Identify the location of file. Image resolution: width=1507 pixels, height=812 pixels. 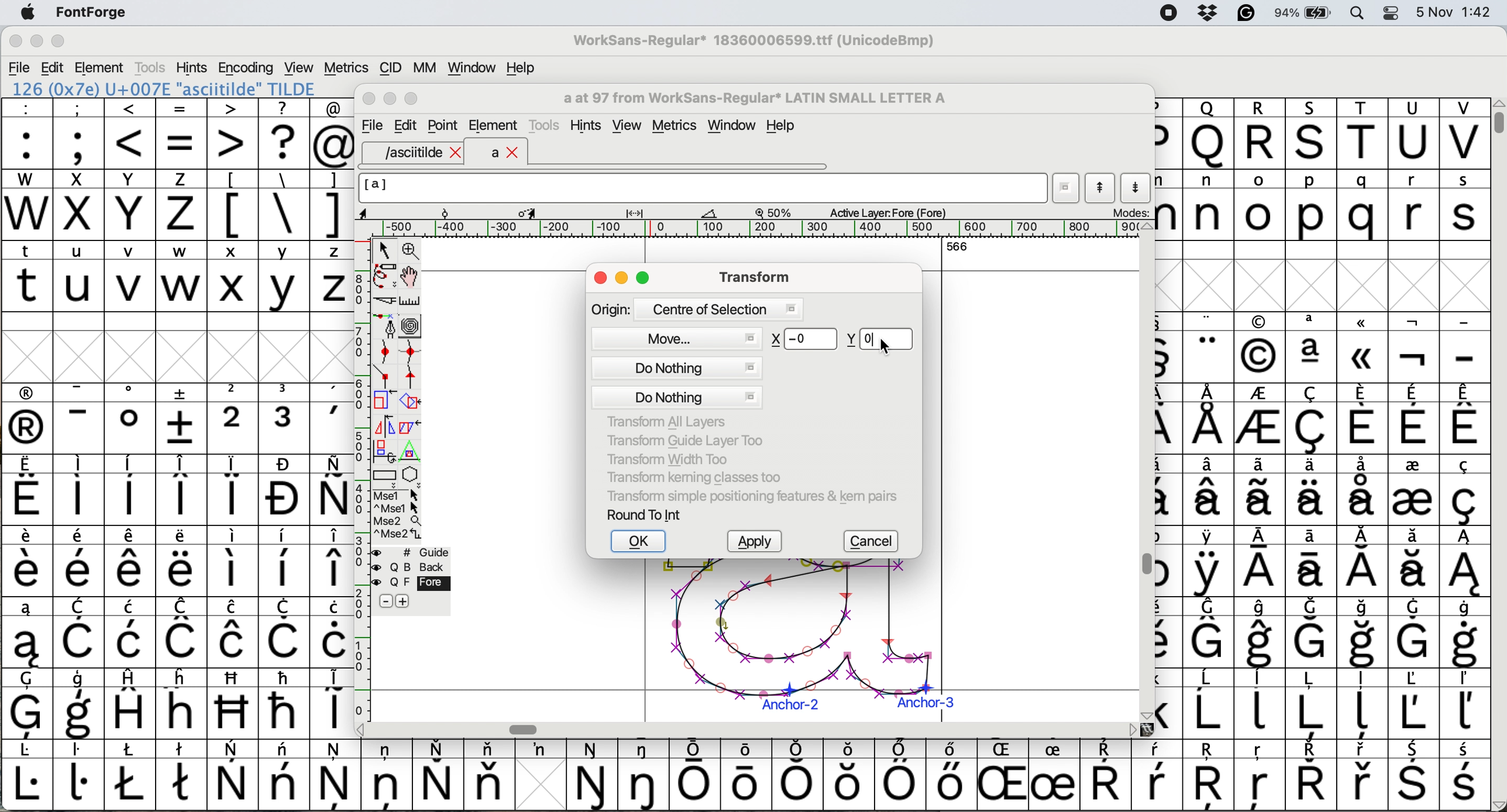
(370, 126).